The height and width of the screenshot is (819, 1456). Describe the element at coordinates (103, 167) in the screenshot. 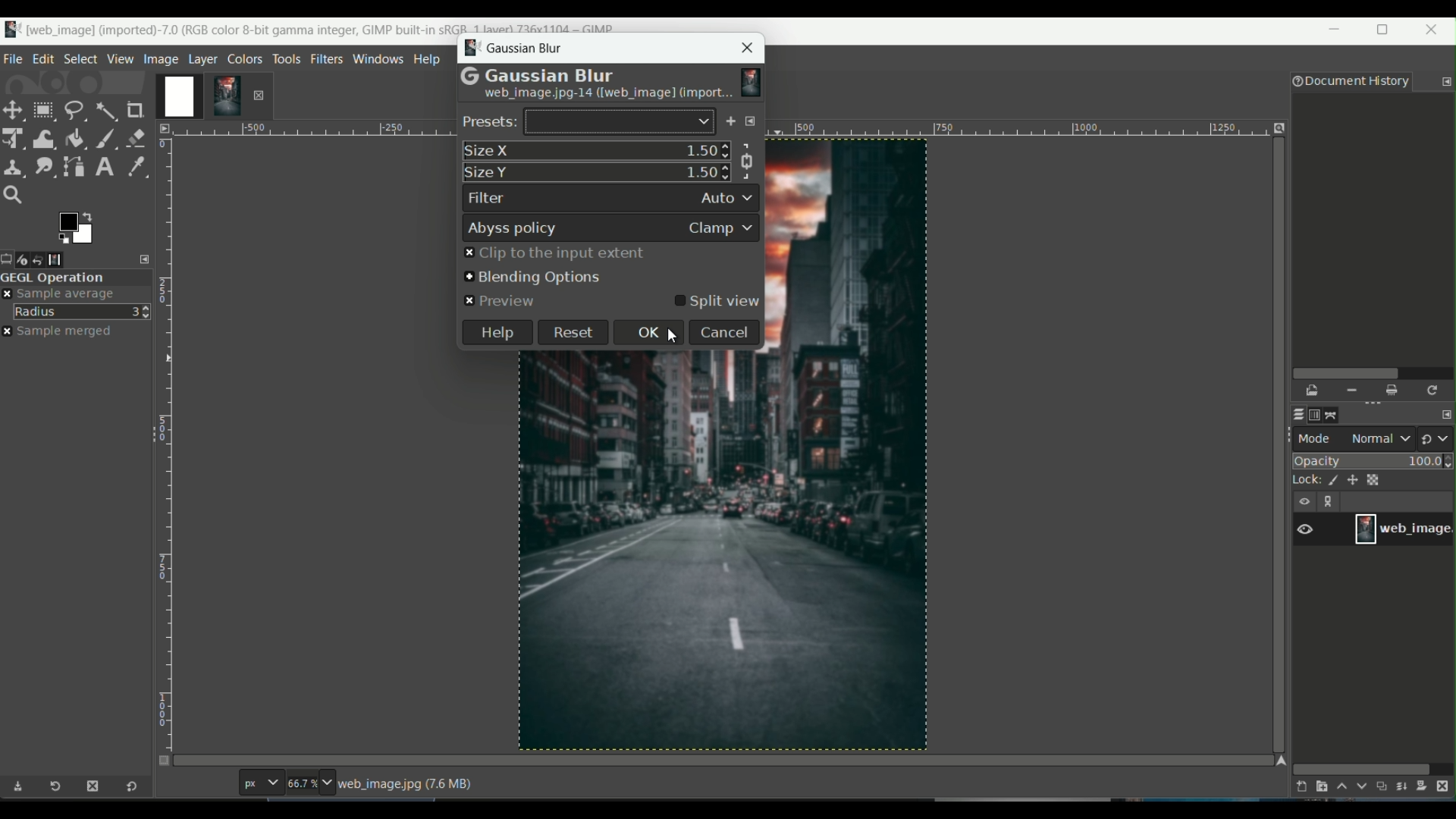

I see `text tool` at that location.